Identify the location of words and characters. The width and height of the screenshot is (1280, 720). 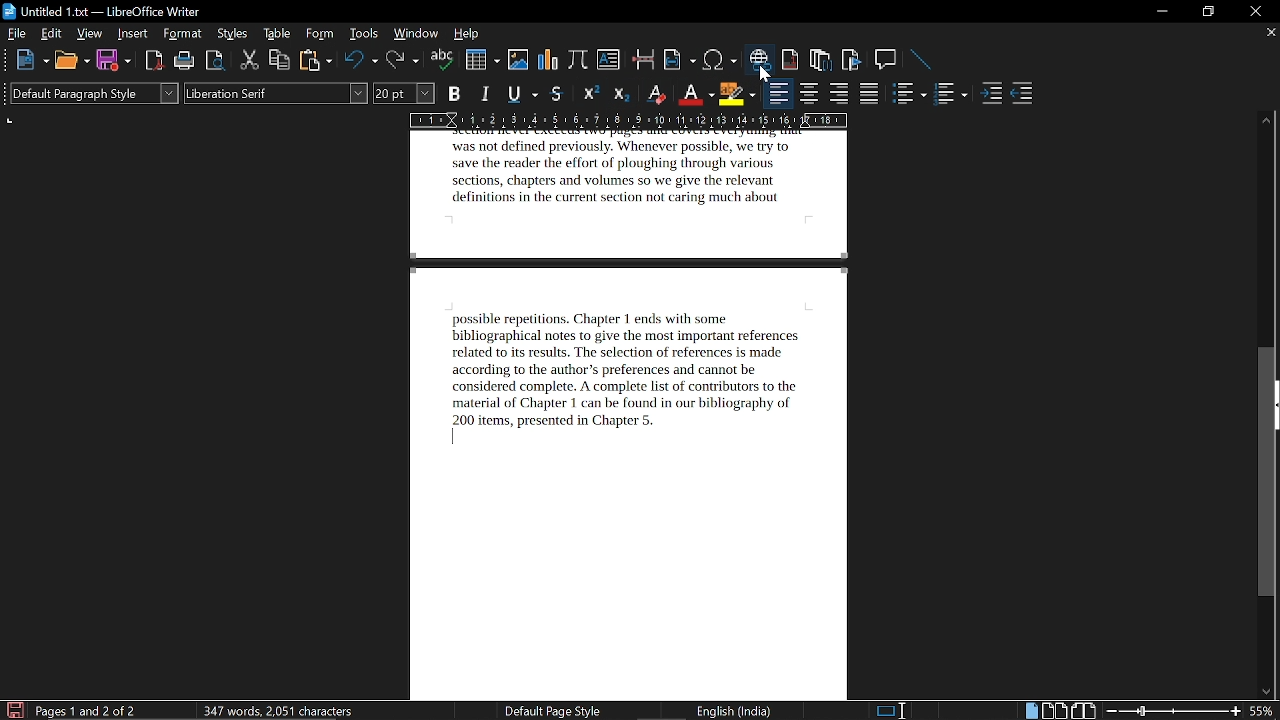
(276, 710).